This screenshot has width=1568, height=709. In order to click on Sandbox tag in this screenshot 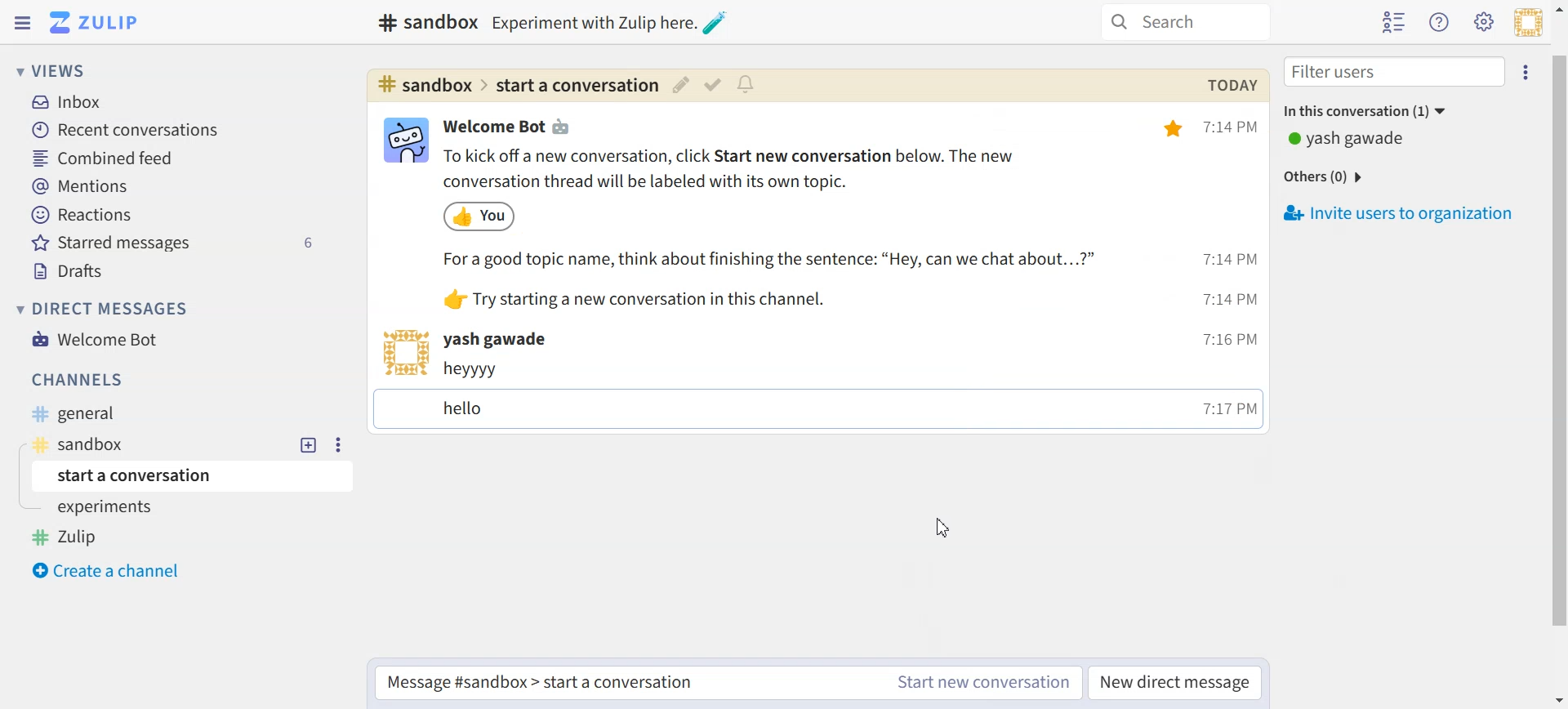, I will do `click(94, 444)`.